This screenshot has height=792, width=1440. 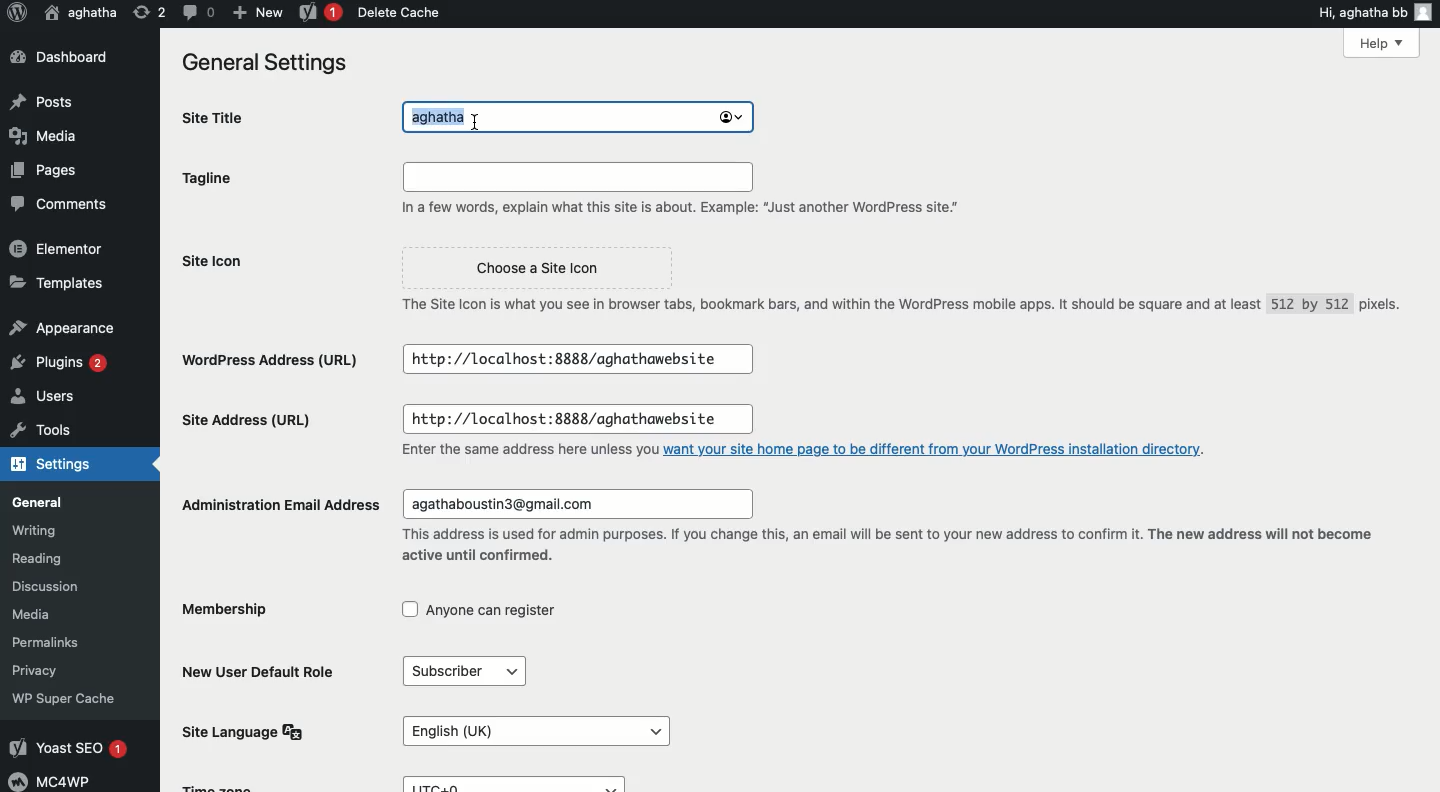 What do you see at coordinates (53, 781) in the screenshot?
I see `MC4WP` at bounding box center [53, 781].